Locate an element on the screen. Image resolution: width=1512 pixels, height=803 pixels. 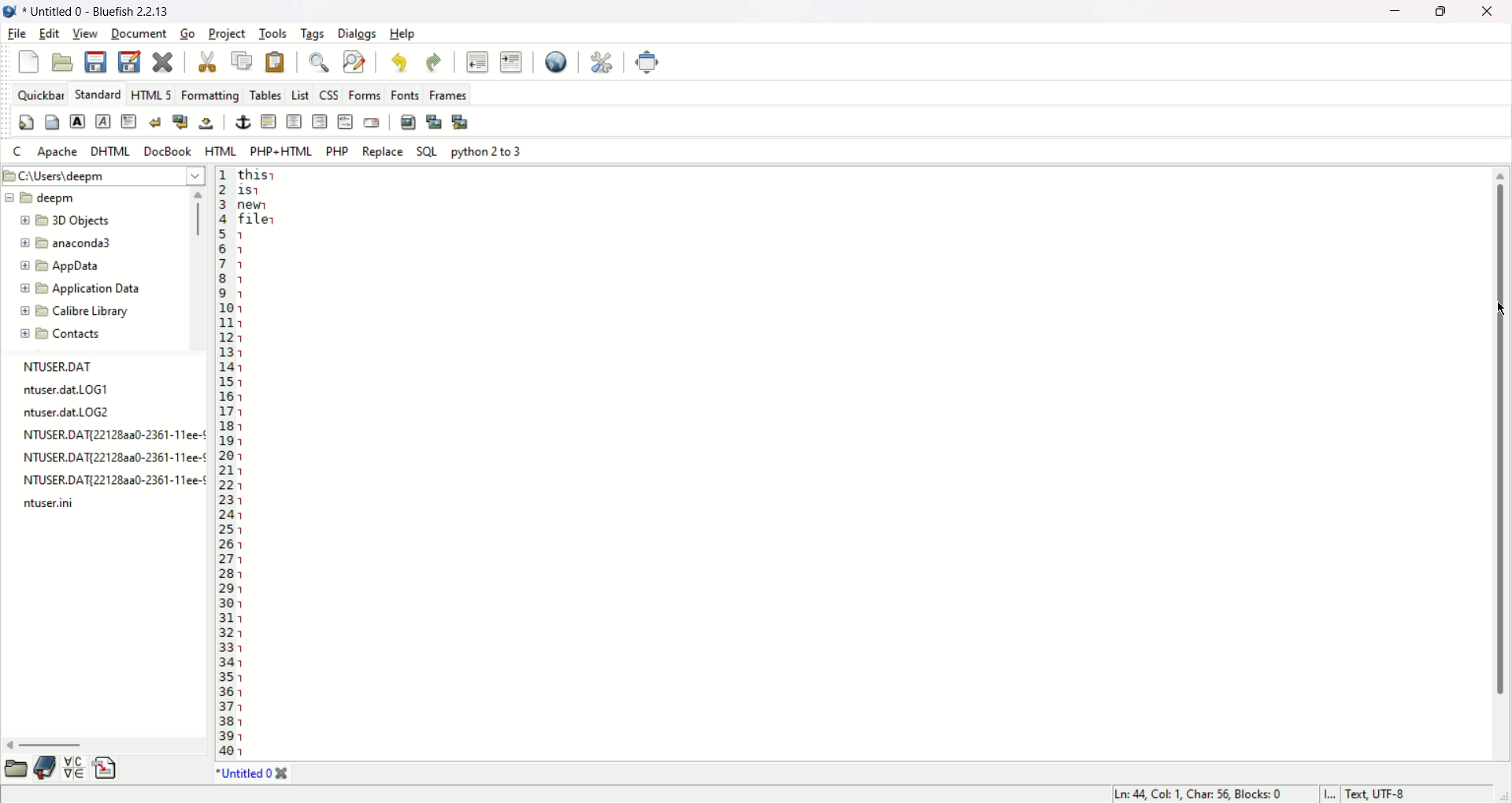
help is located at coordinates (406, 34).